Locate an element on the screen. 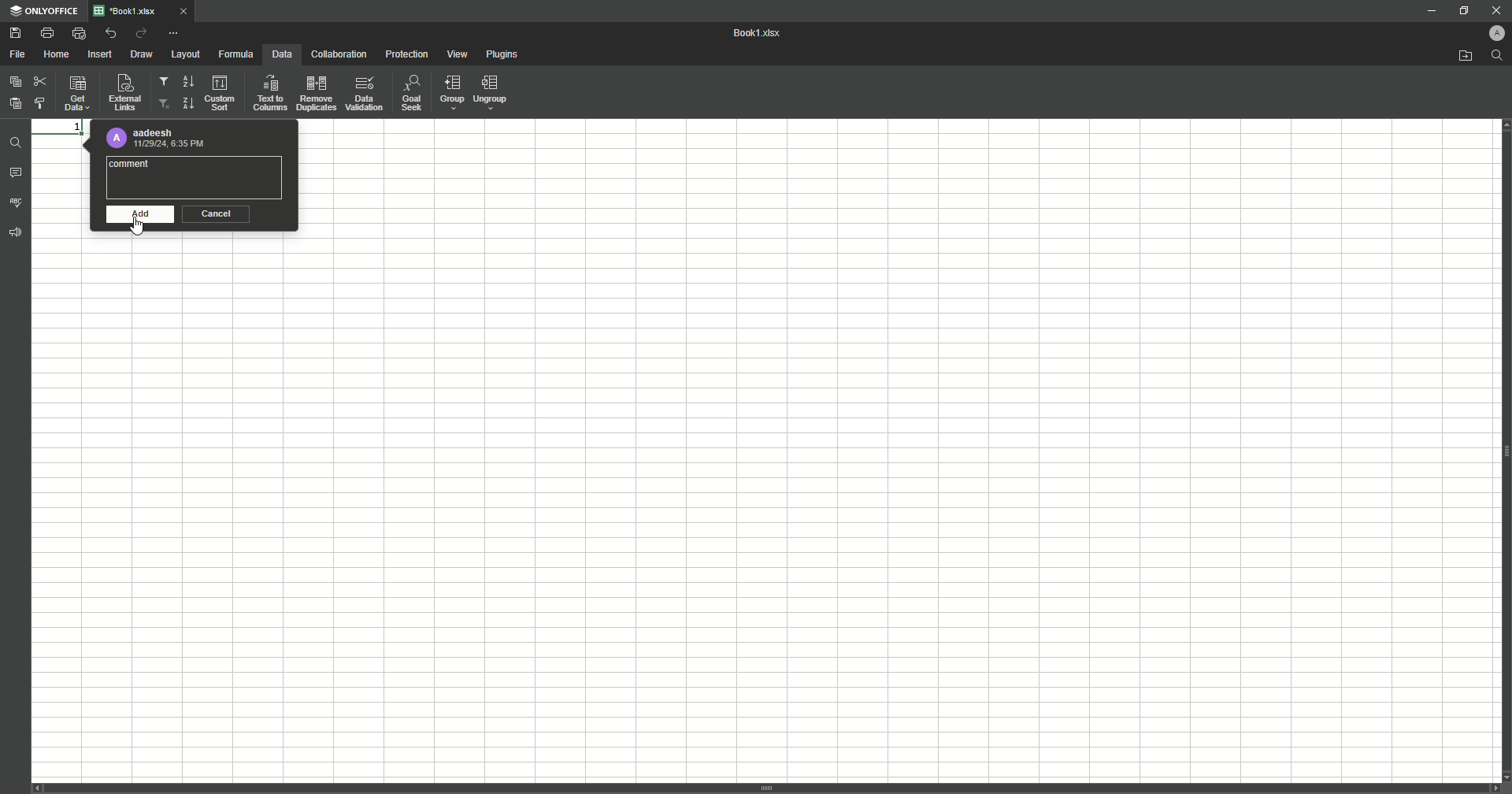  Goal Seek is located at coordinates (410, 95).